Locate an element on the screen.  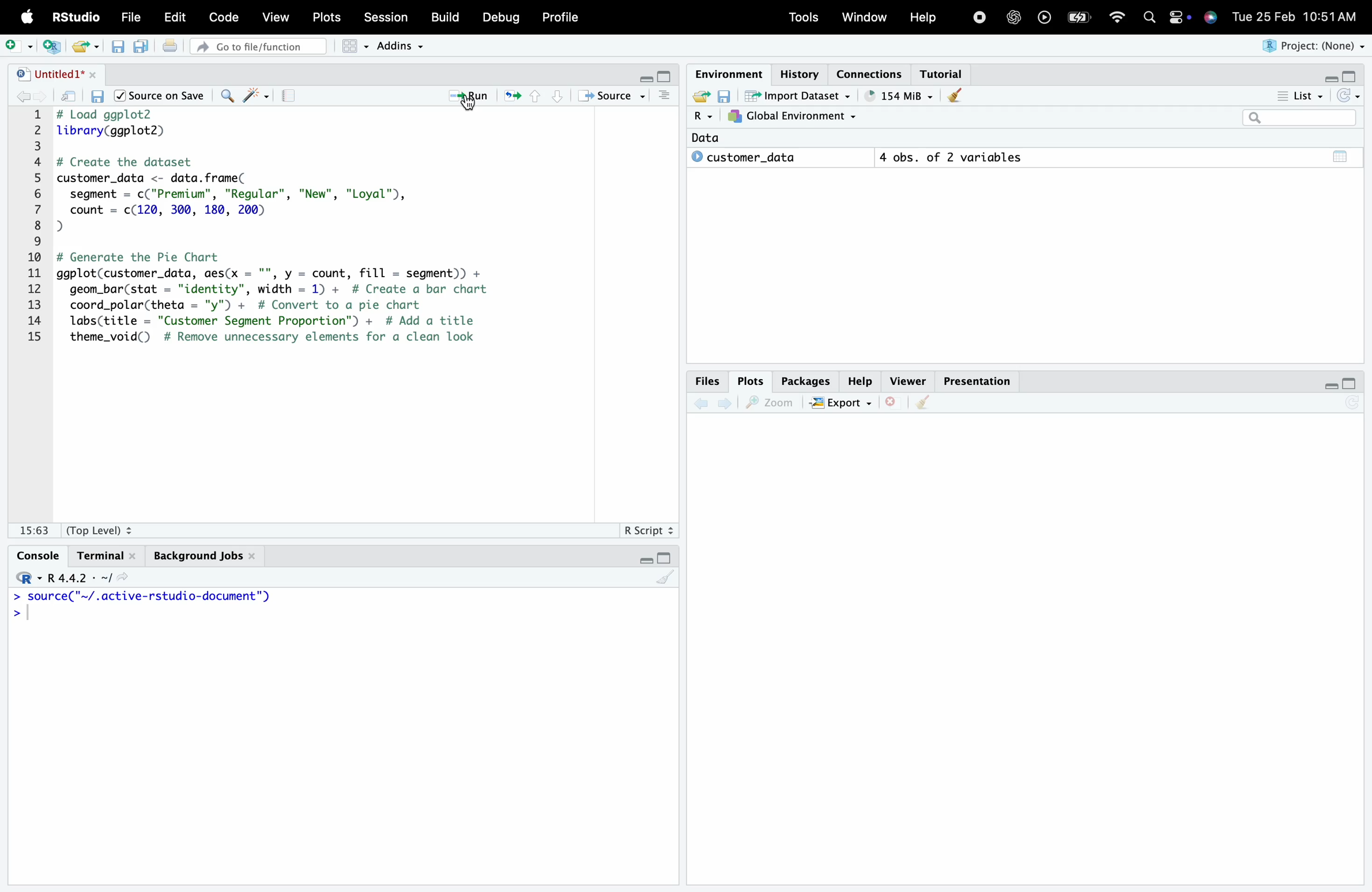
export file is located at coordinates (696, 97).